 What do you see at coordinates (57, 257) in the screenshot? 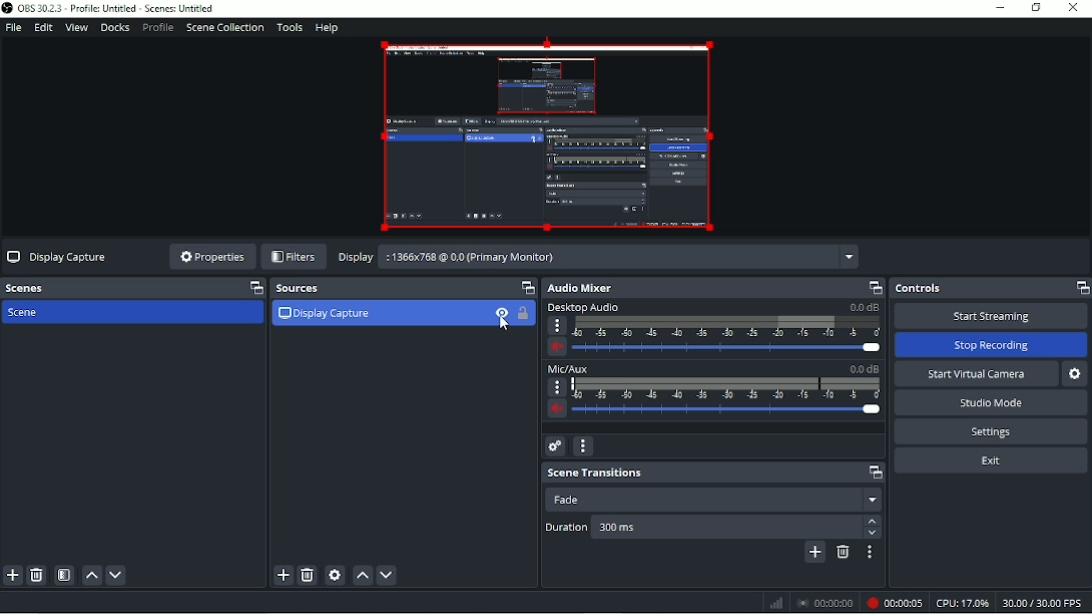
I see `Display Capture` at bounding box center [57, 257].